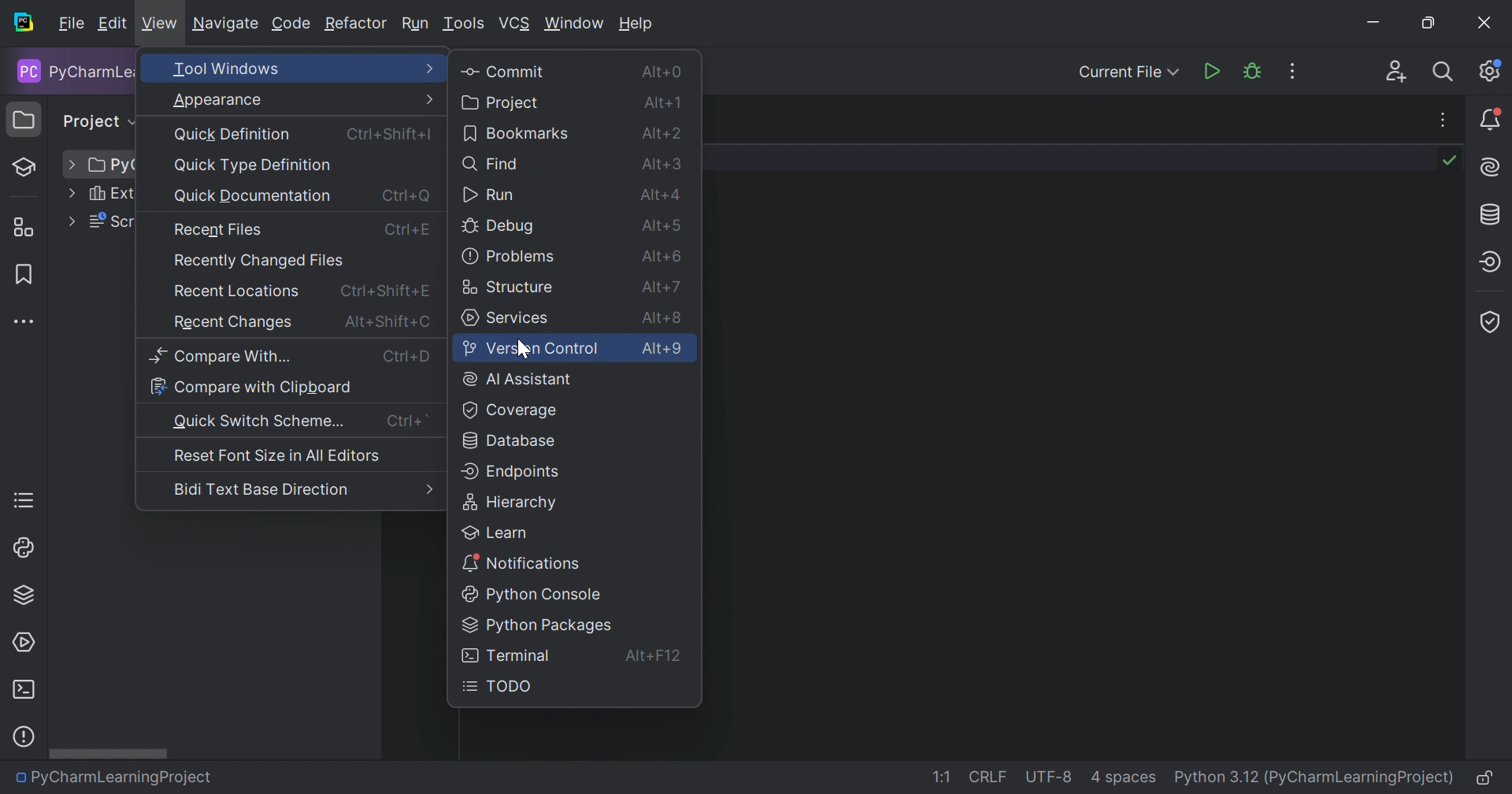 The height and width of the screenshot is (794, 1512). What do you see at coordinates (1130, 73) in the screenshot?
I see `Current File` at bounding box center [1130, 73].